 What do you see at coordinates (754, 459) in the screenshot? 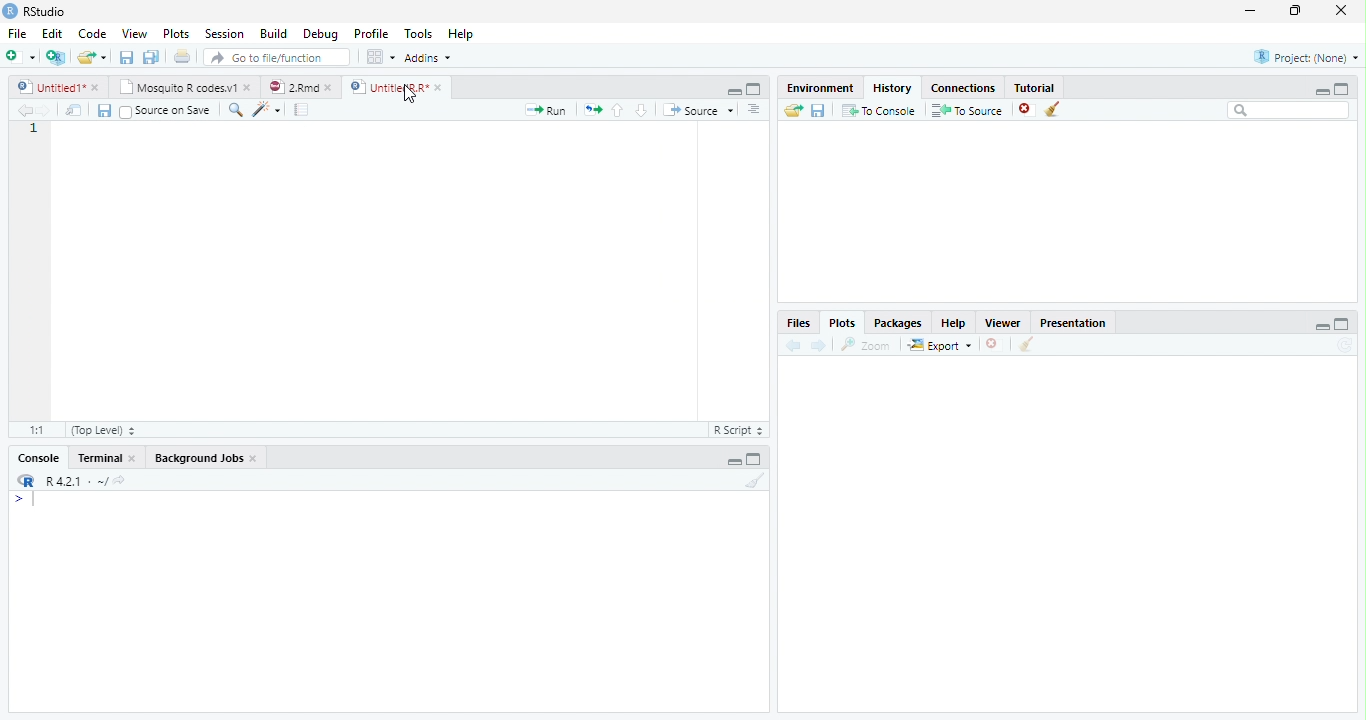
I see `Maximize` at bounding box center [754, 459].